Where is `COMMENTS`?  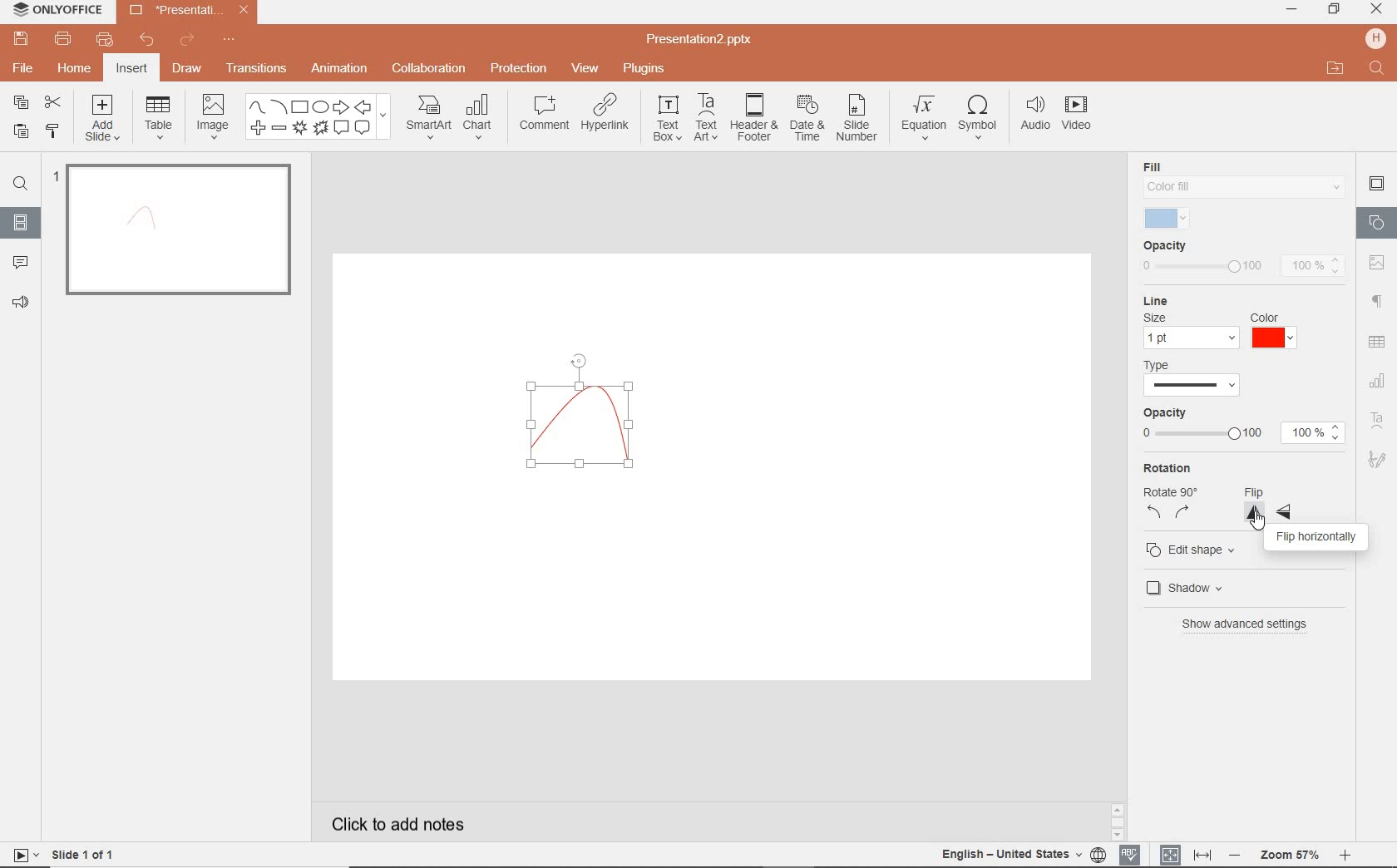 COMMENTS is located at coordinates (18, 261).